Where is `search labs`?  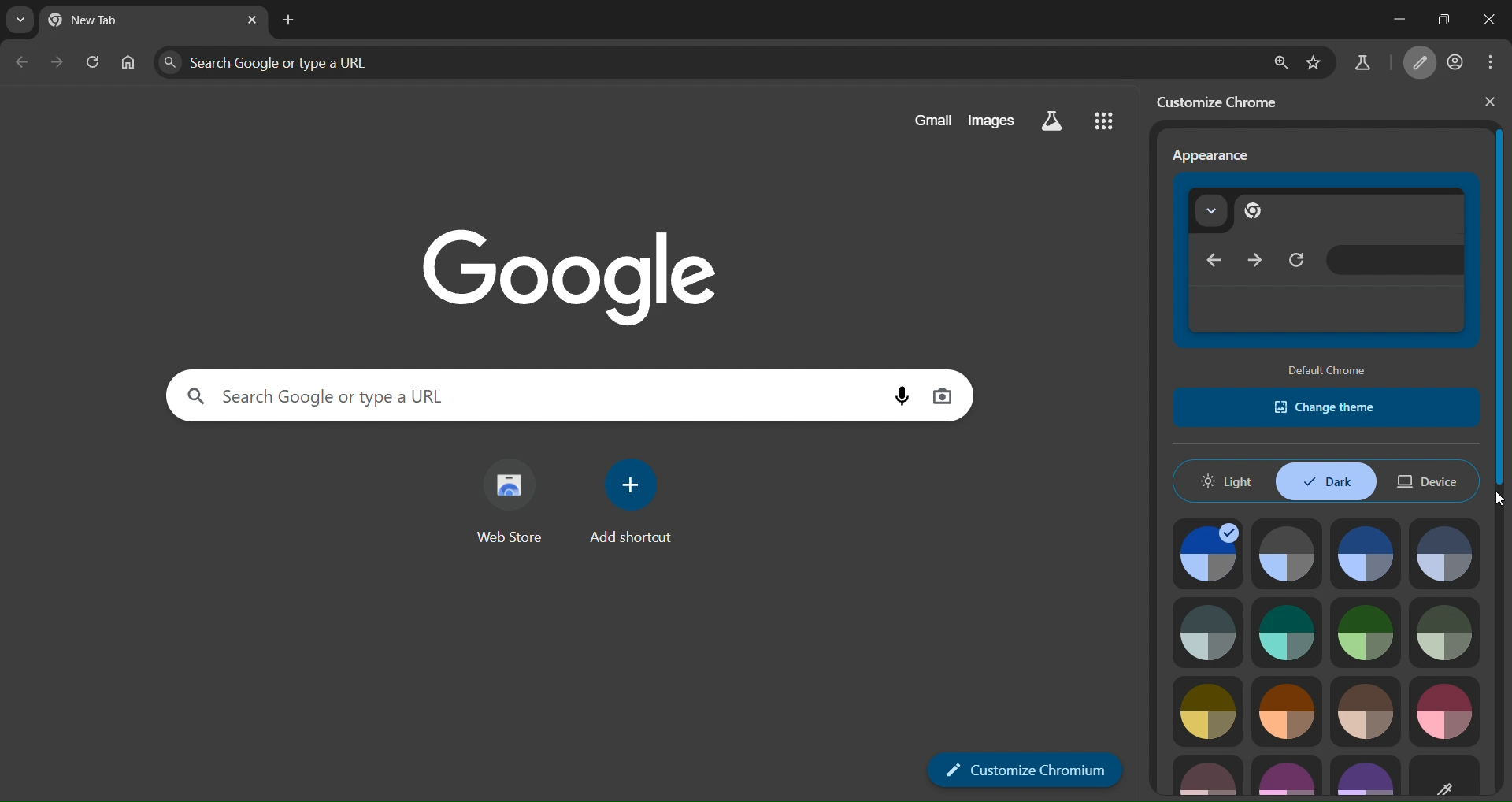
search labs is located at coordinates (1365, 63).